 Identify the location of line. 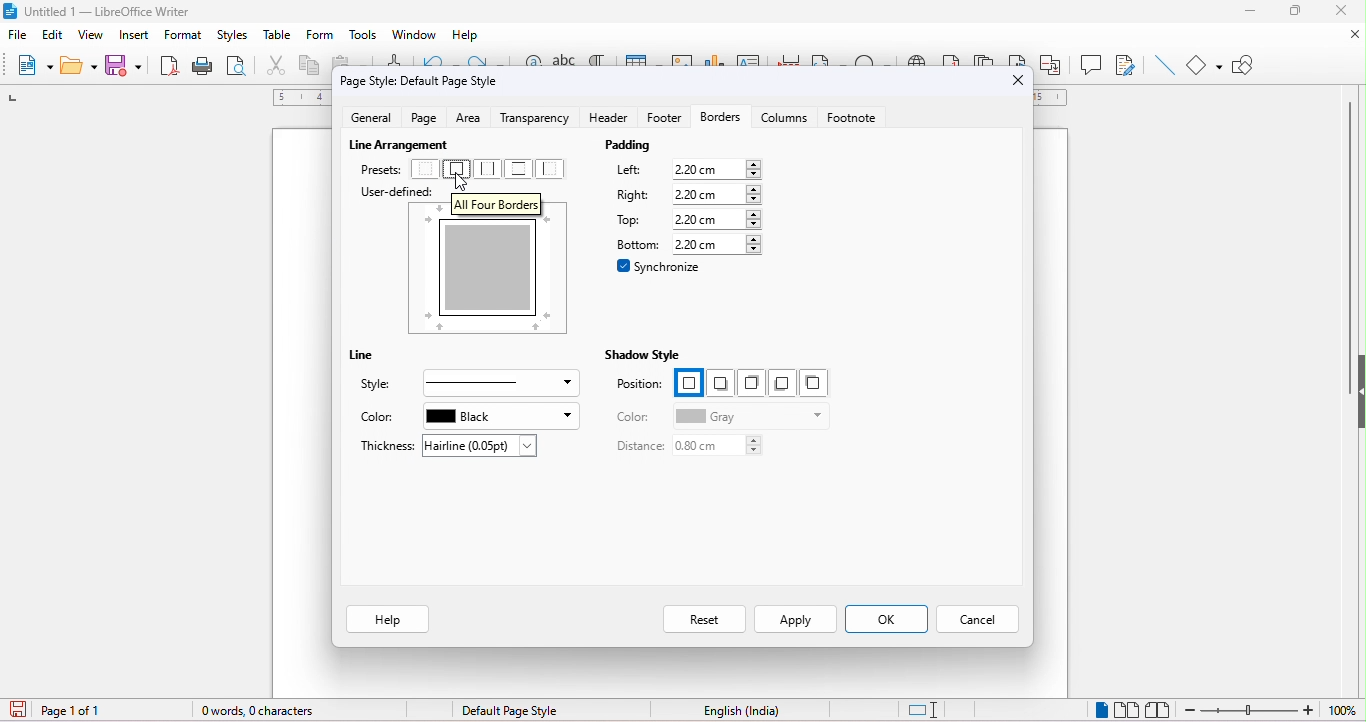
(1162, 64).